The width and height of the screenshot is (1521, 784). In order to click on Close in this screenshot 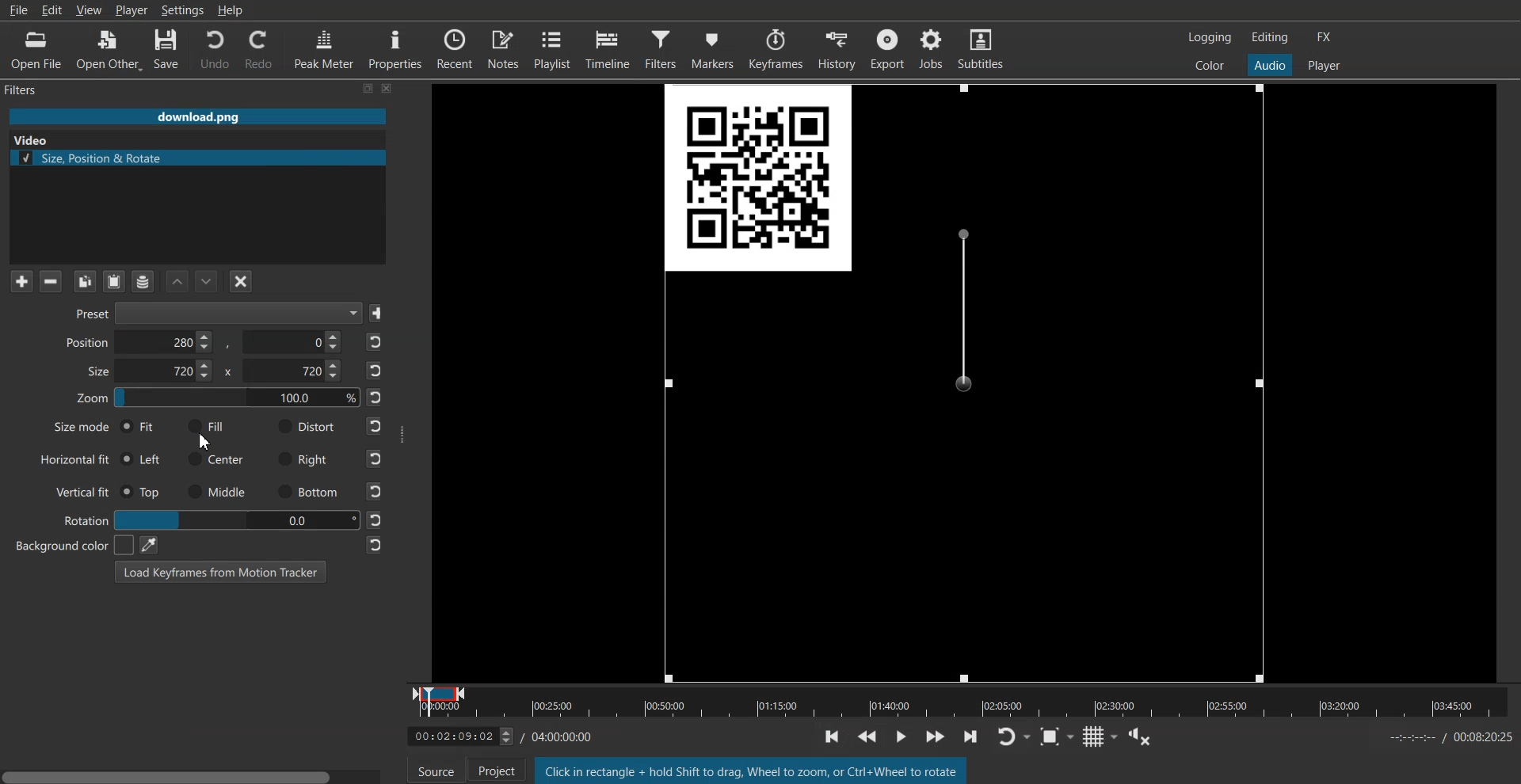, I will do `click(388, 89)`.